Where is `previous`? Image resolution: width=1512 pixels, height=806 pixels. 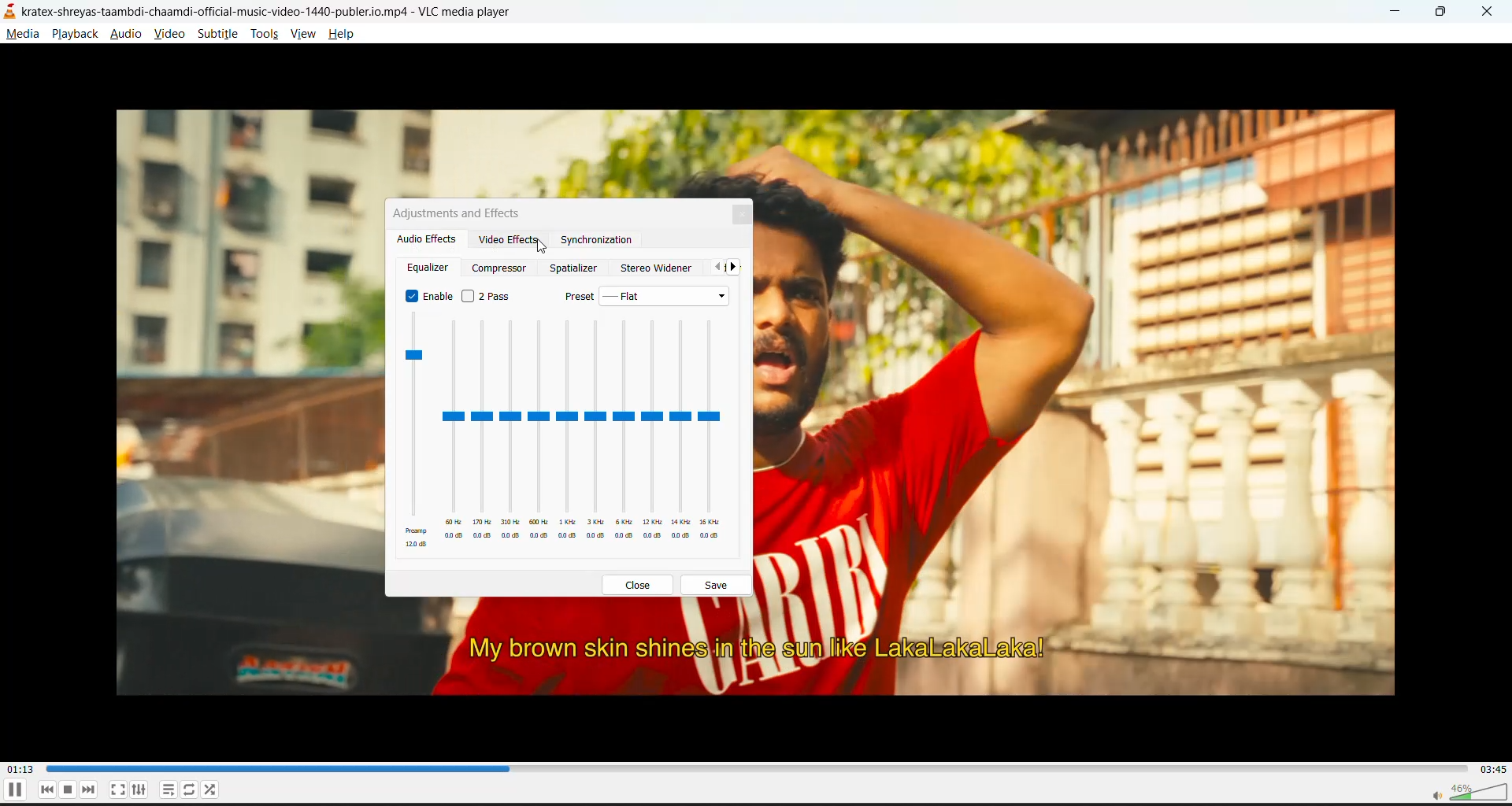
previous is located at coordinates (50, 789).